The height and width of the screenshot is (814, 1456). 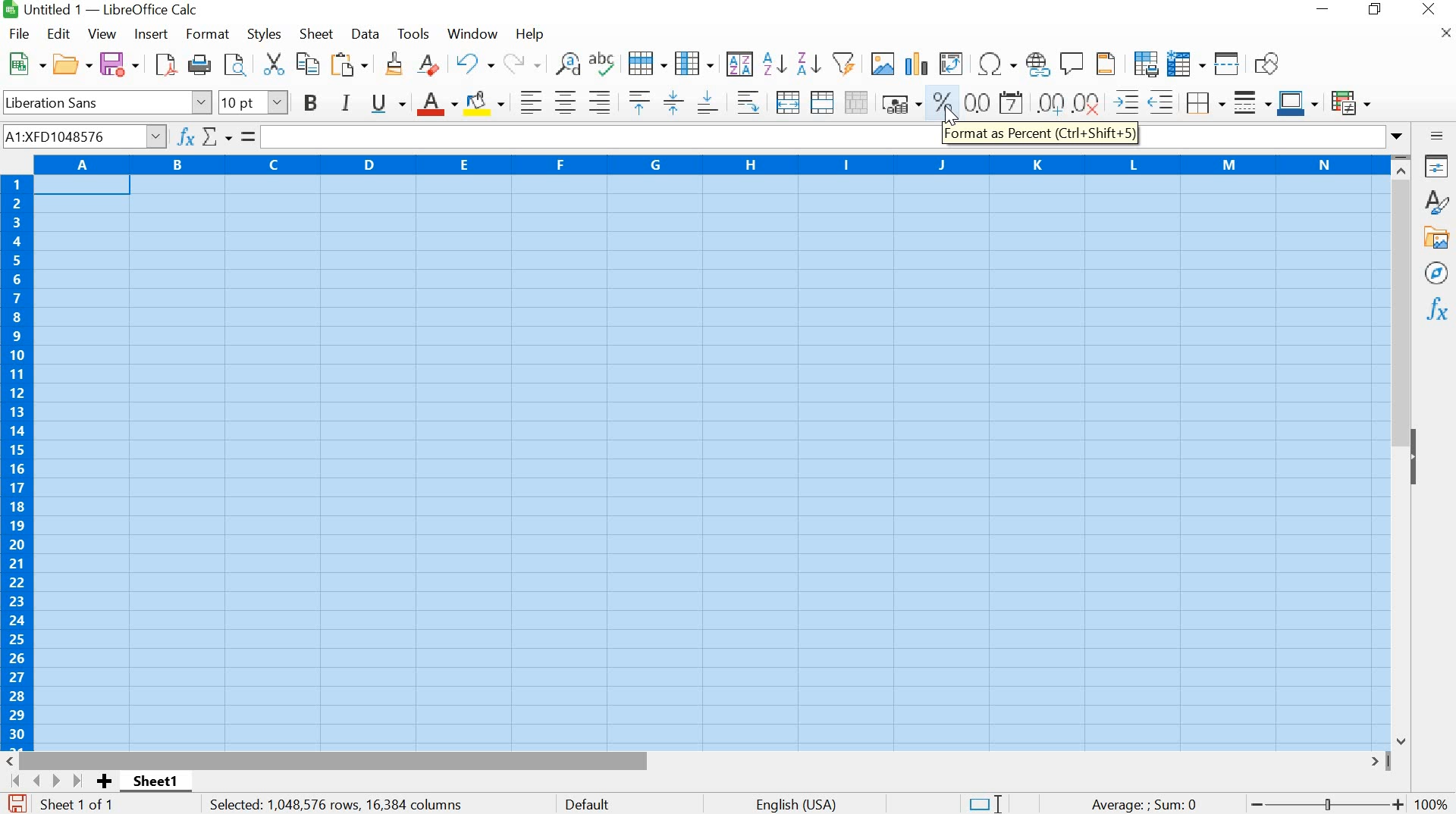 What do you see at coordinates (789, 102) in the screenshot?
I see `Merge and Center` at bounding box center [789, 102].